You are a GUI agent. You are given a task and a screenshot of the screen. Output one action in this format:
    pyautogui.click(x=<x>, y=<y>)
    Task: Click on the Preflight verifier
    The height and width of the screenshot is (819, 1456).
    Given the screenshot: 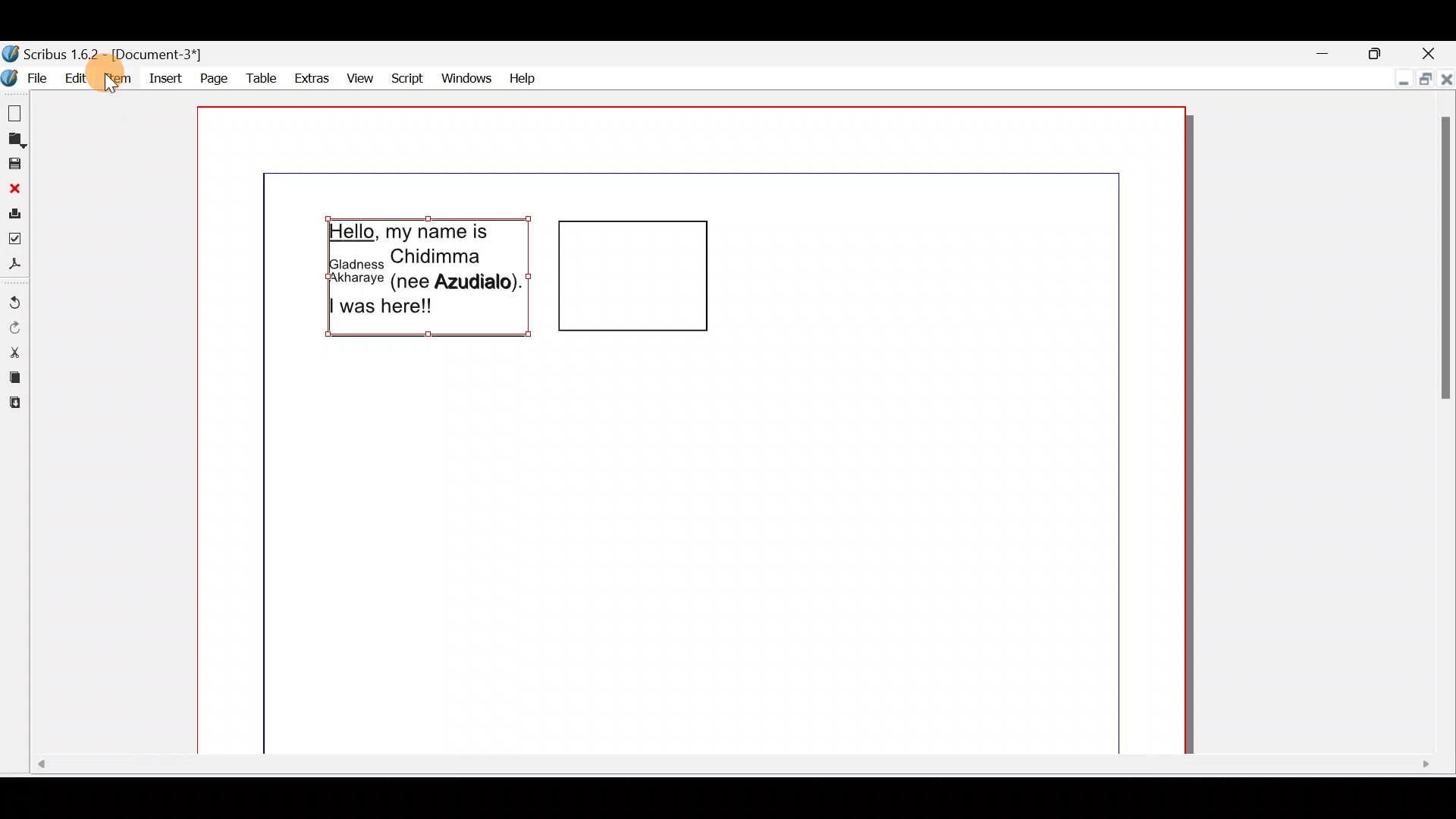 What is the action you would take?
    pyautogui.click(x=15, y=237)
    